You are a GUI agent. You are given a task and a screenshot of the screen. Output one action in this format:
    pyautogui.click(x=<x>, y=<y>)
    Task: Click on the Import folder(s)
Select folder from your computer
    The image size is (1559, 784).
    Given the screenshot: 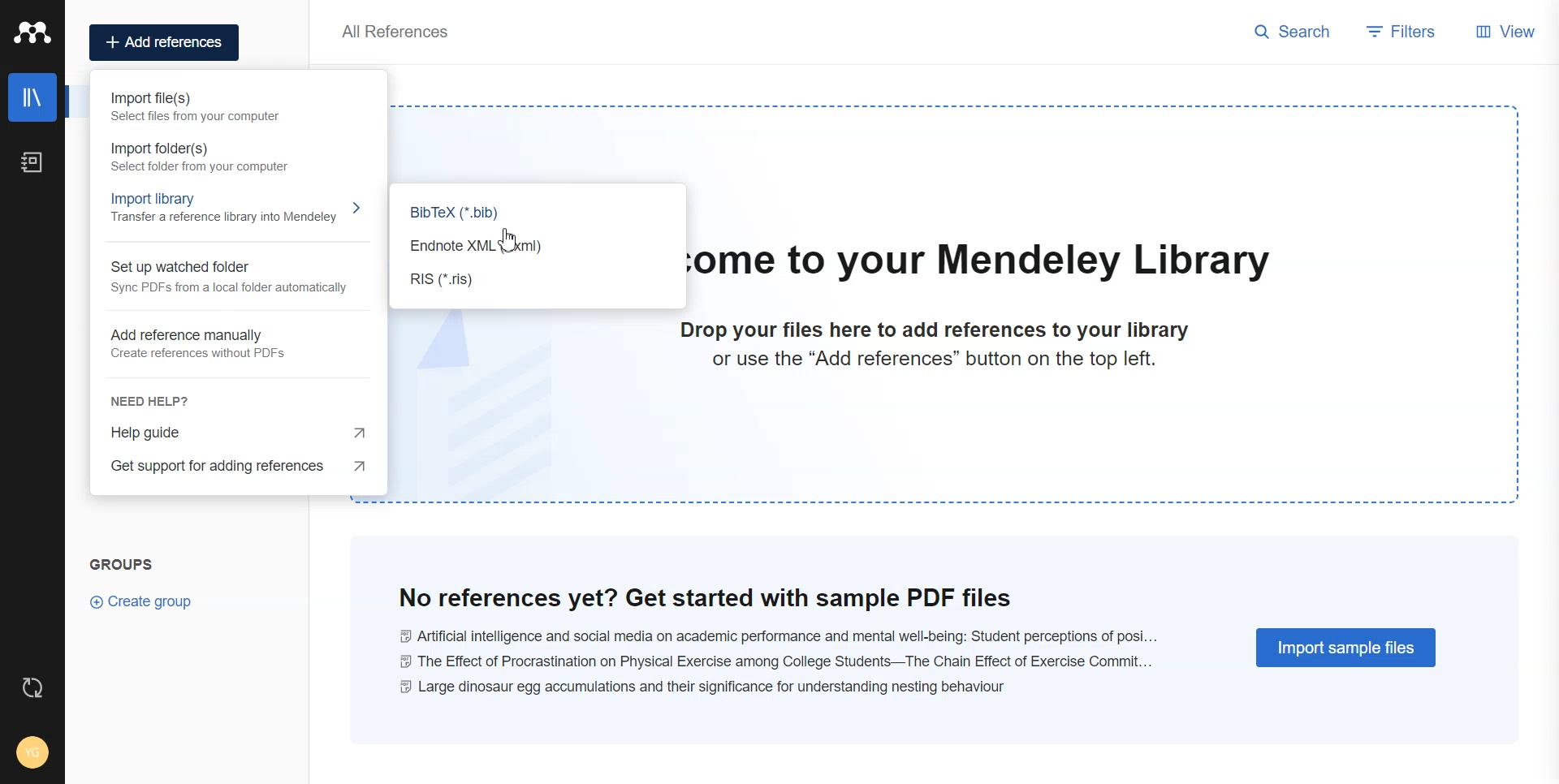 What is the action you would take?
    pyautogui.click(x=205, y=159)
    